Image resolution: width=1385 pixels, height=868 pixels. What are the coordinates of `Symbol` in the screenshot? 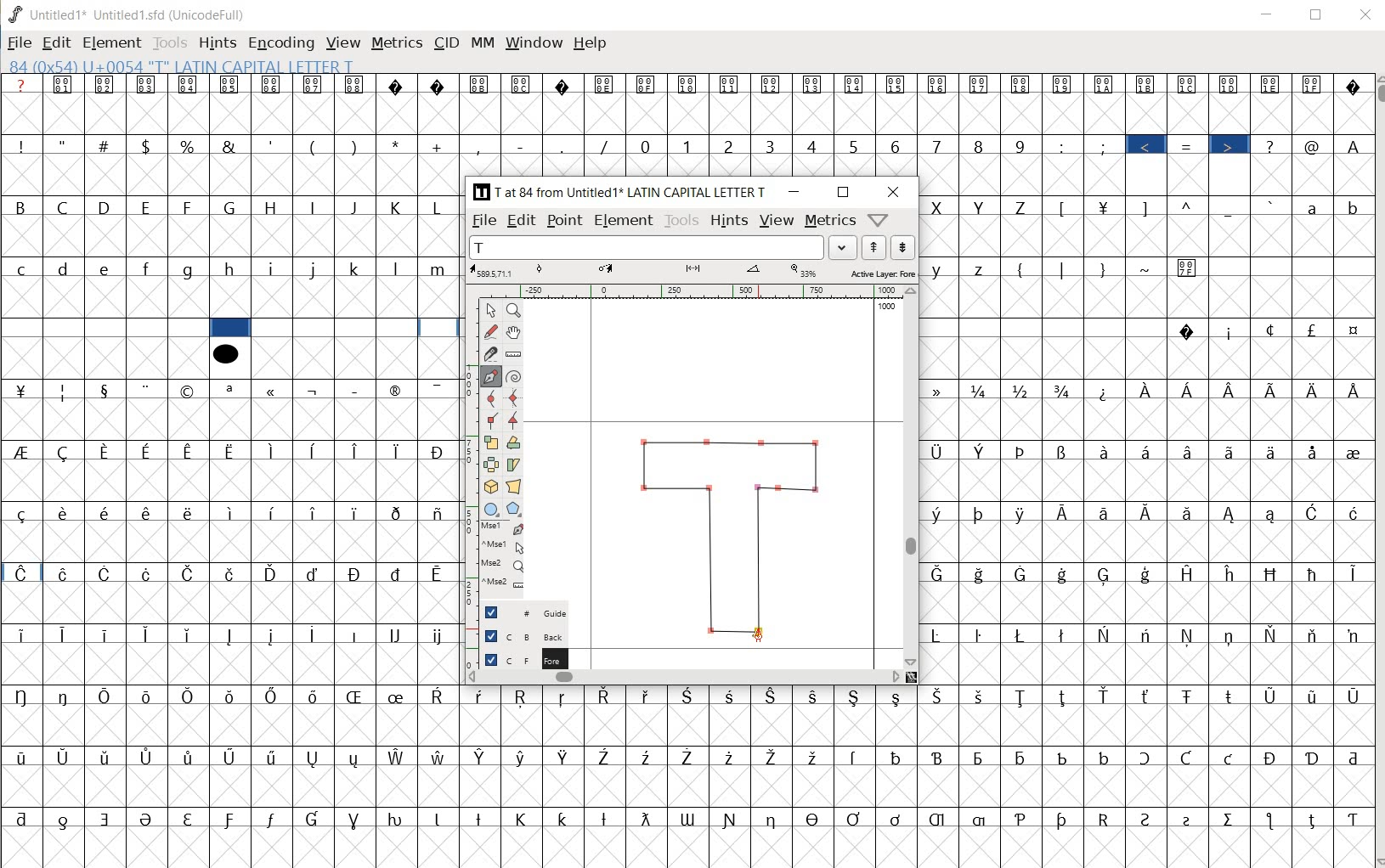 It's located at (648, 757).